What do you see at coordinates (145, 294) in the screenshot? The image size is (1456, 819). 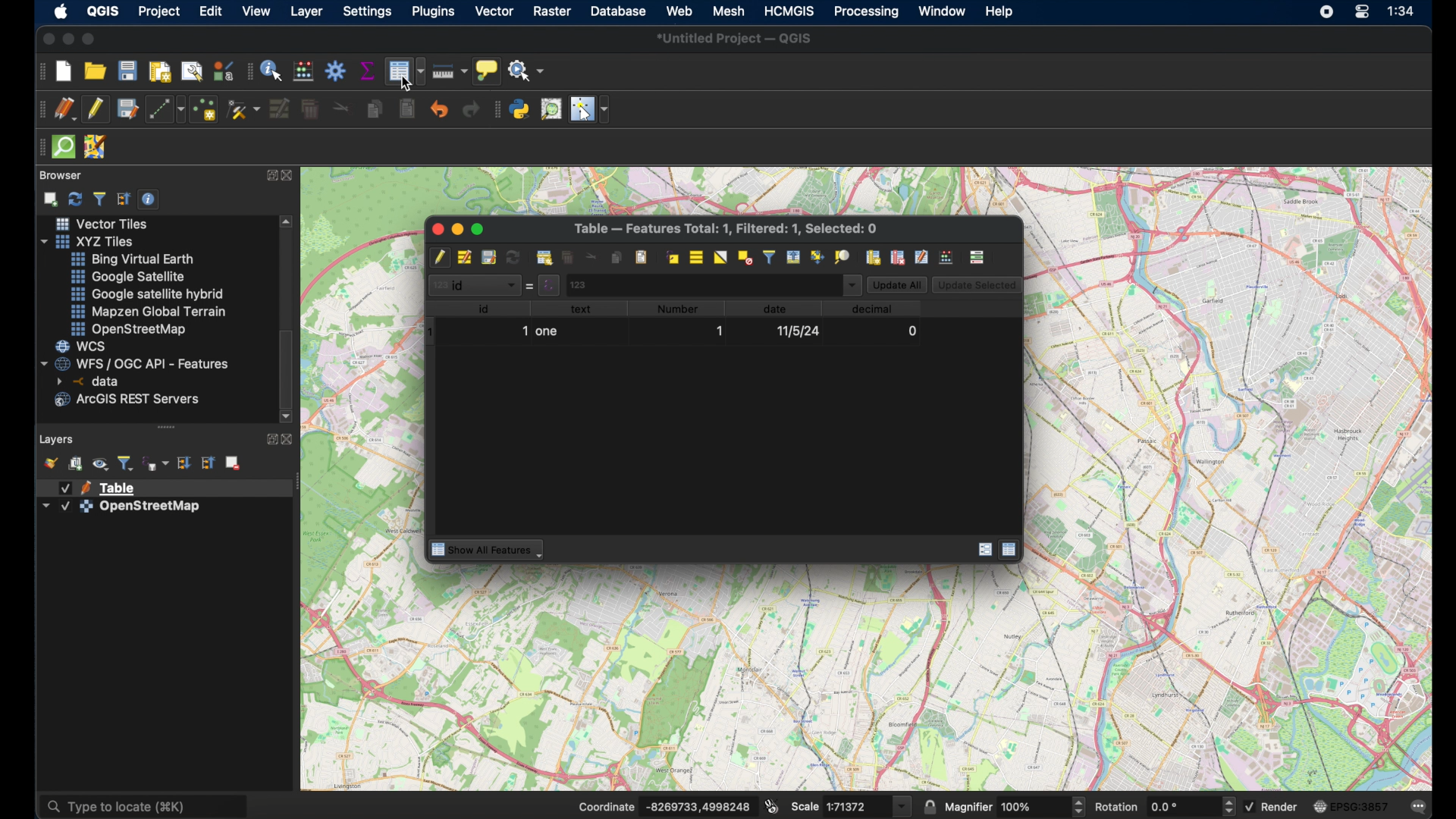 I see `gogole satellite hybrid` at bounding box center [145, 294].